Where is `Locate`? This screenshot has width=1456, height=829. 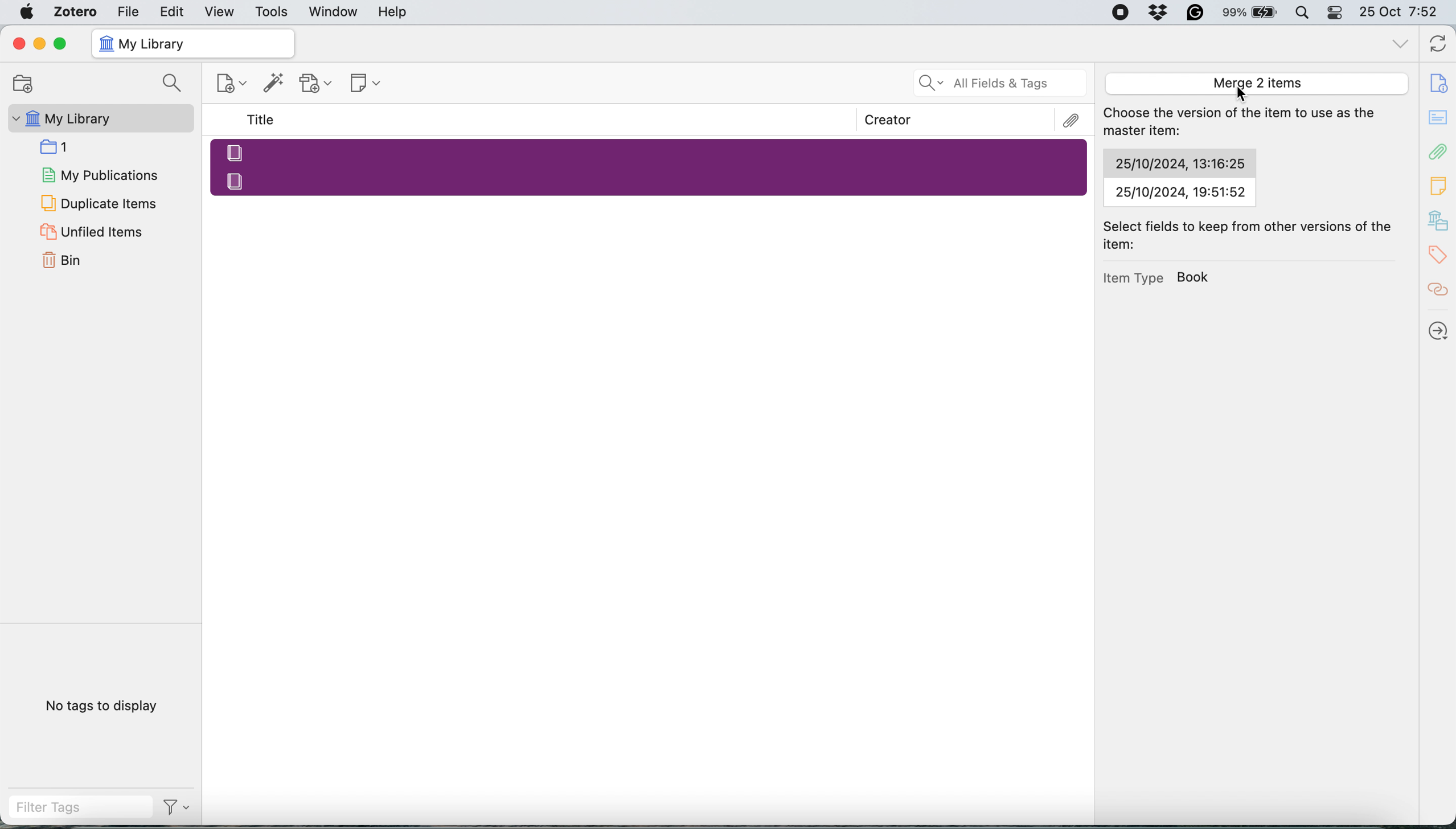
Locate is located at coordinates (1439, 331).